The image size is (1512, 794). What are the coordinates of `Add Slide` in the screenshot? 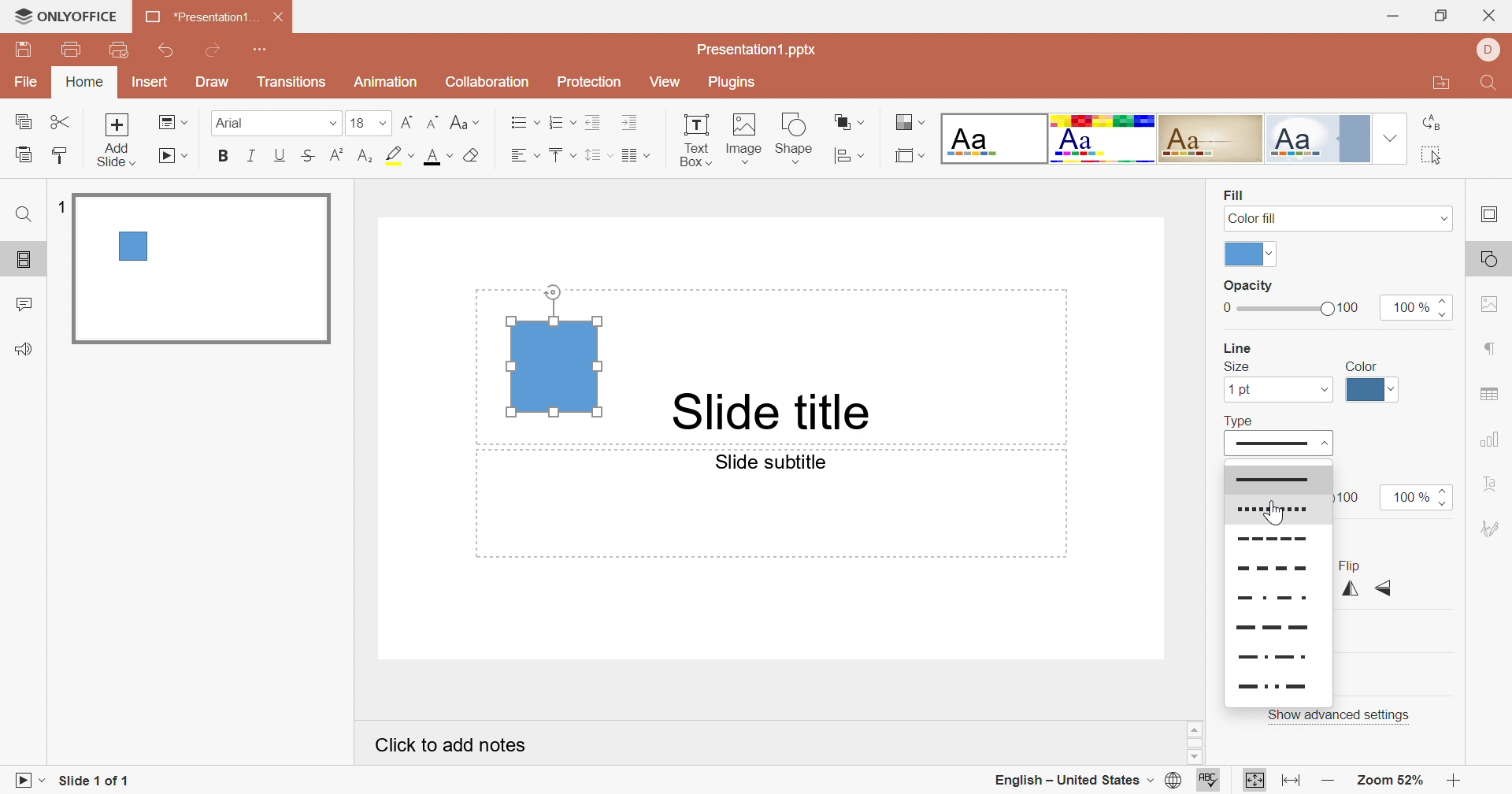 It's located at (120, 140).